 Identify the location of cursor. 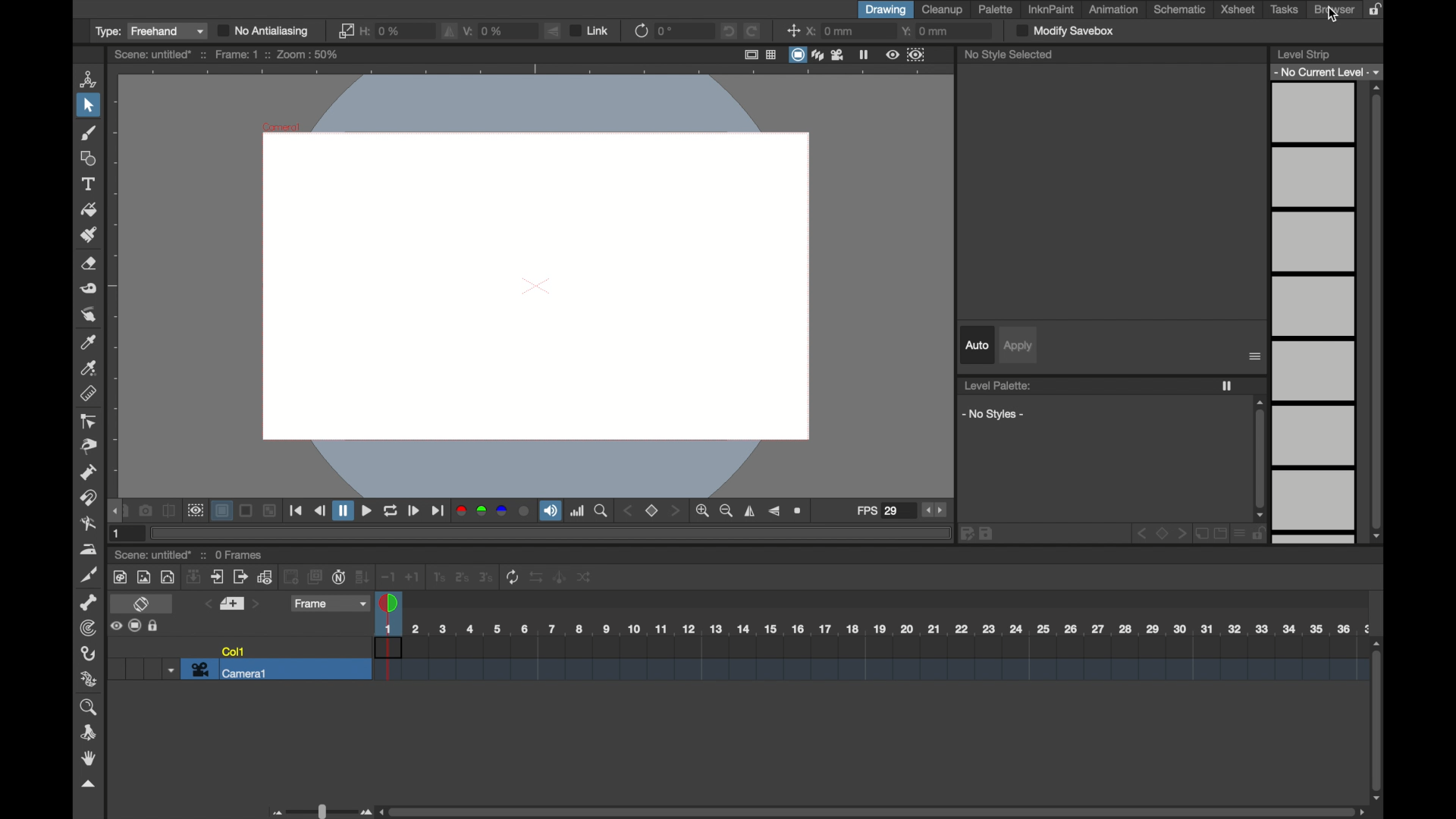
(1332, 16).